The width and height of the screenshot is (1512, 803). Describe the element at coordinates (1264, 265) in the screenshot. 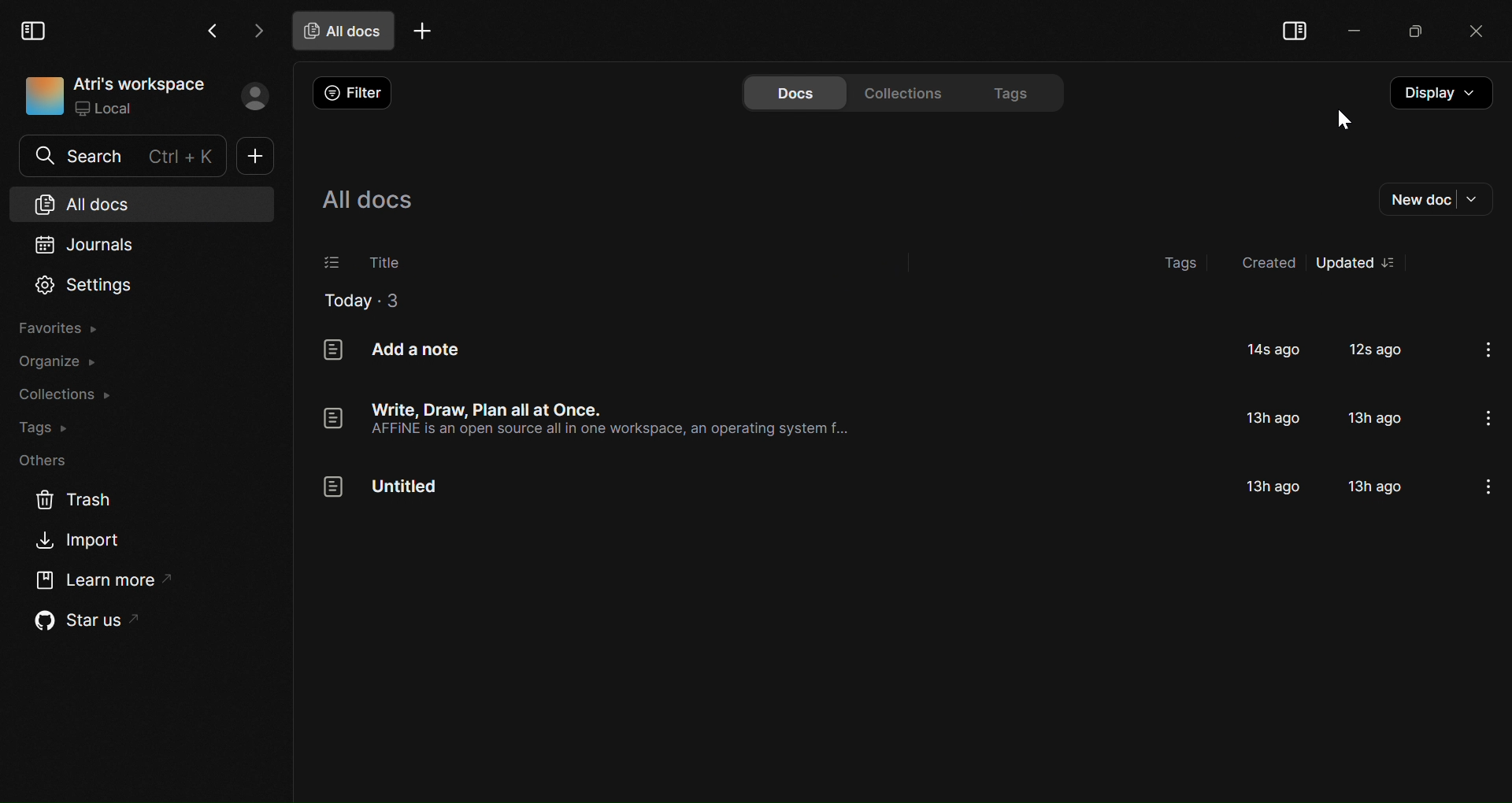

I see `Created` at that location.